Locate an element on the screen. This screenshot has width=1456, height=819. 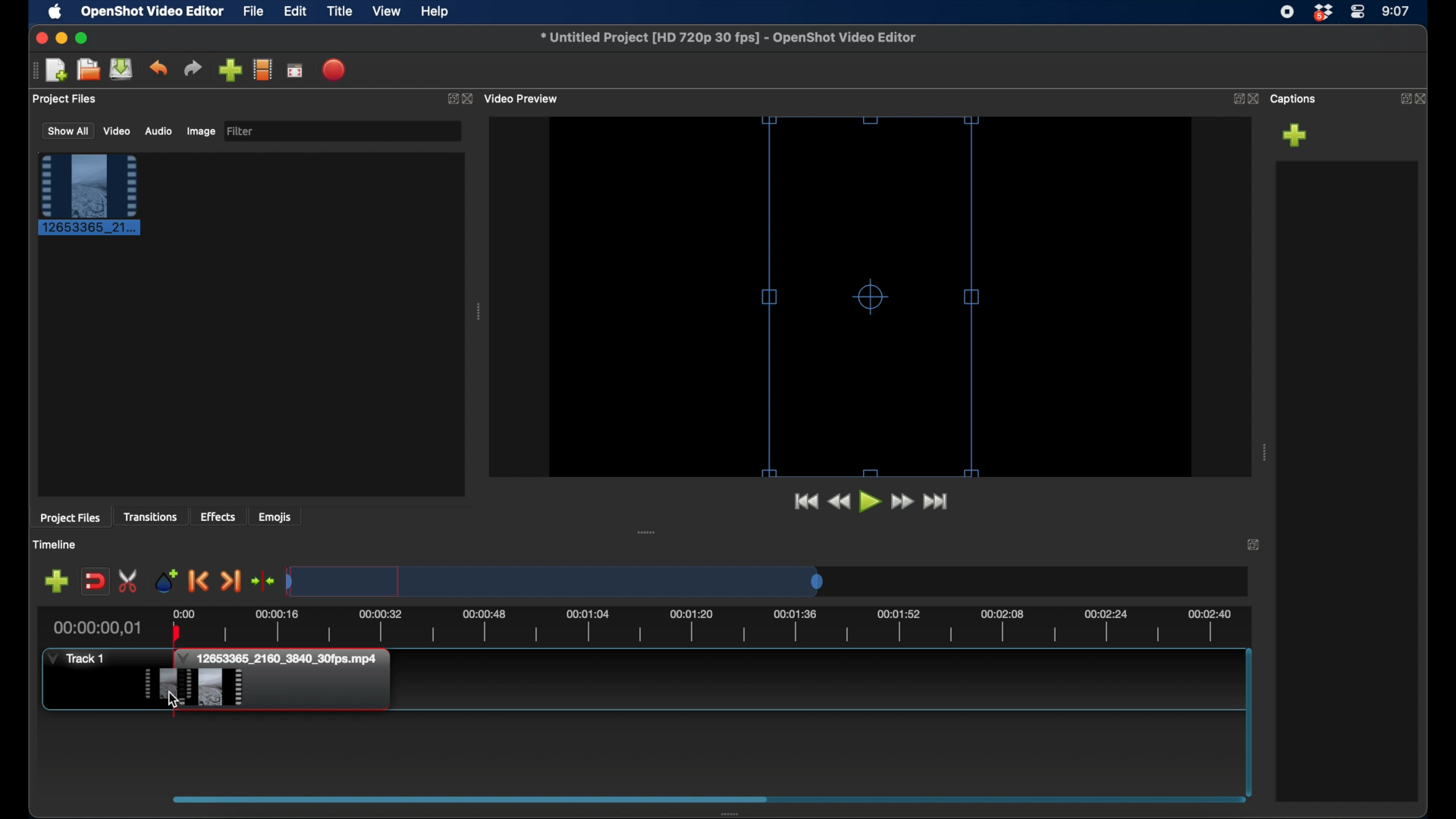
emojis is located at coordinates (276, 518).